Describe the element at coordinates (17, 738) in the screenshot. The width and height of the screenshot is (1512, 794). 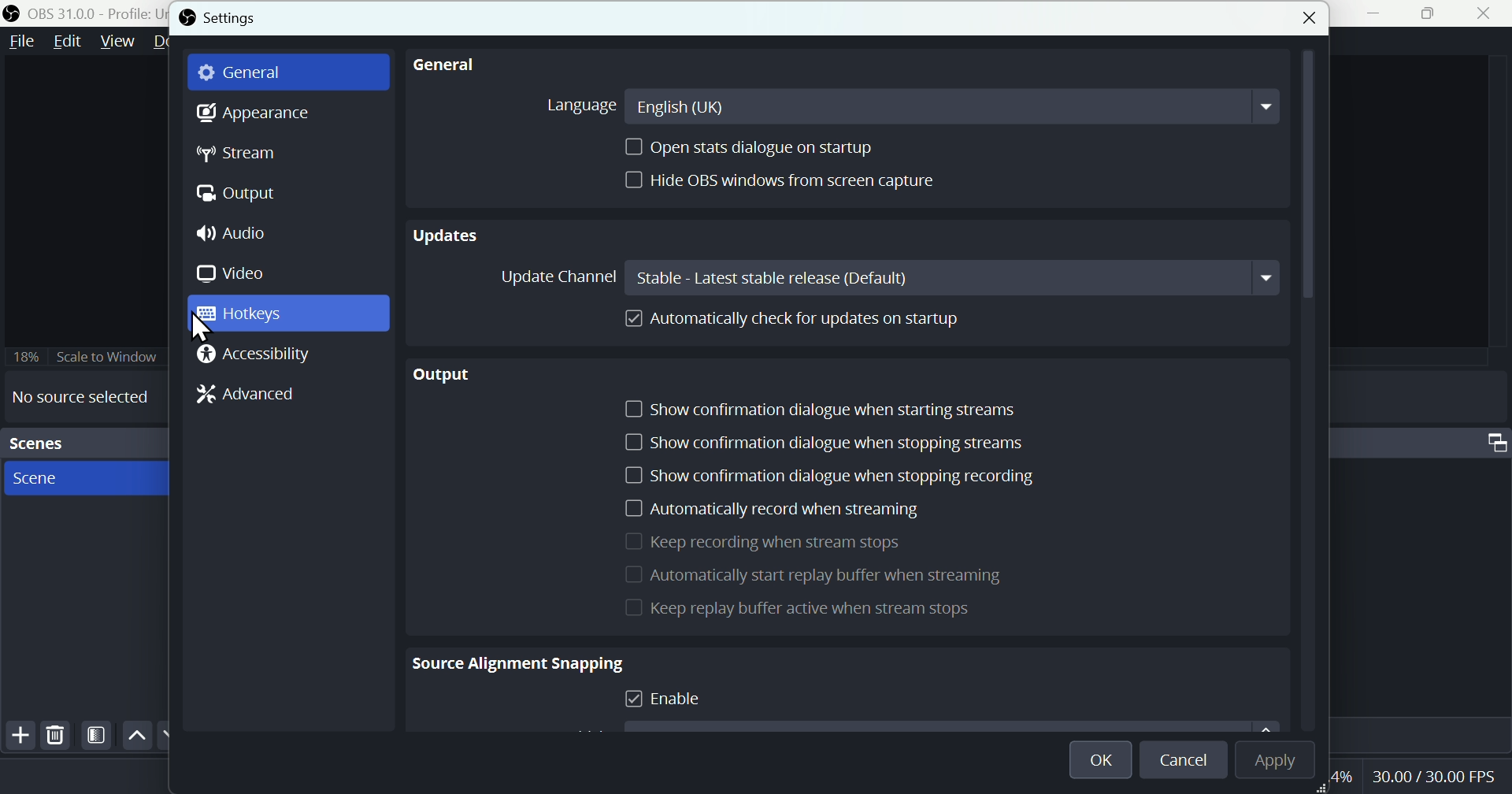
I see `Add` at that location.